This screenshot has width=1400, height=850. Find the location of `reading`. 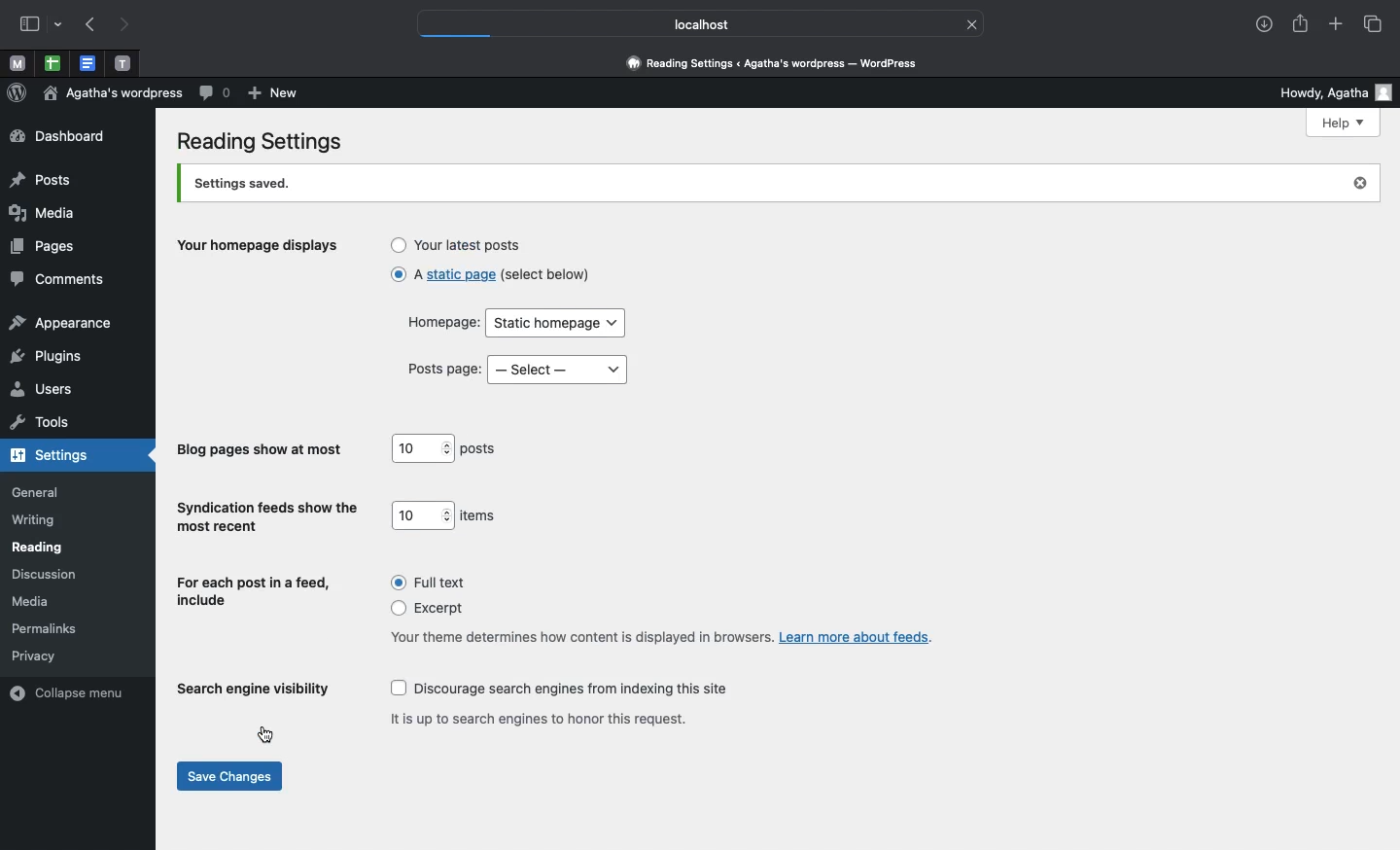

reading is located at coordinates (39, 548).